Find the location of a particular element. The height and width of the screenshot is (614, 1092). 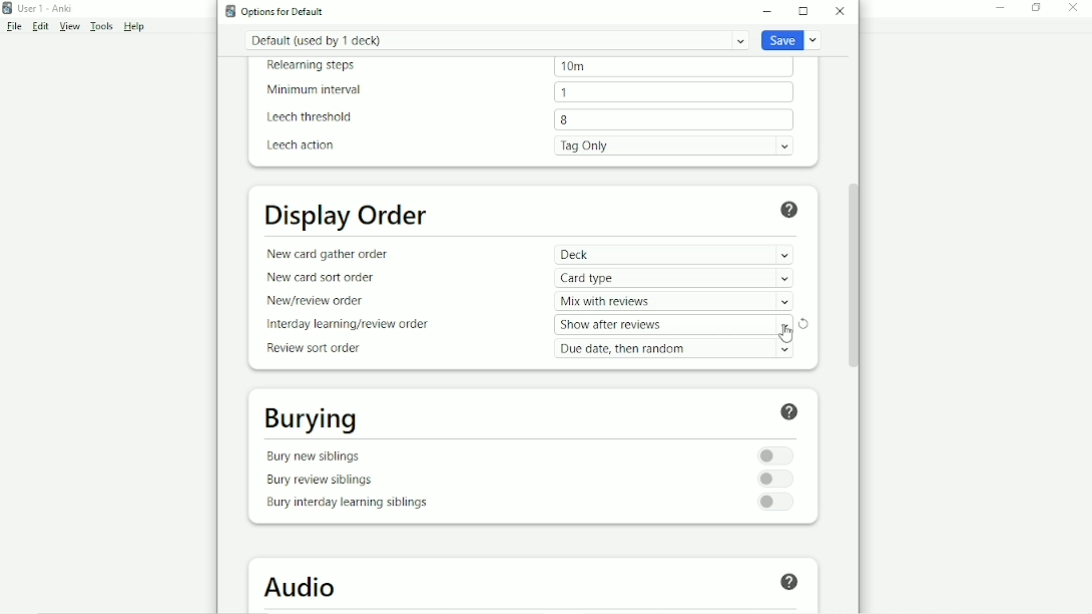

New/review order is located at coordinates (314, 301).